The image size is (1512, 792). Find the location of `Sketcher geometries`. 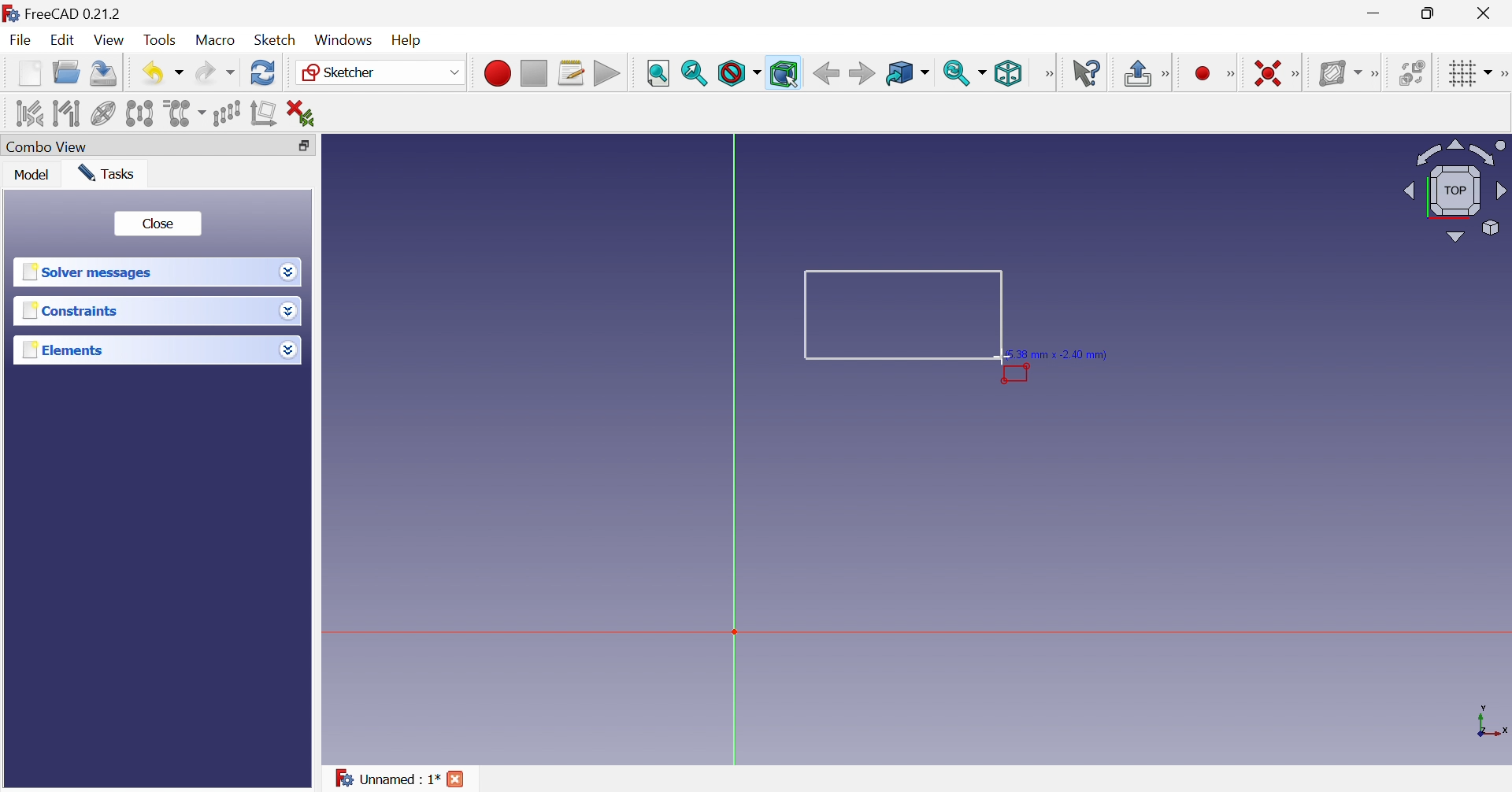

Sketcher geometries is located at coordinates (1233, 75).